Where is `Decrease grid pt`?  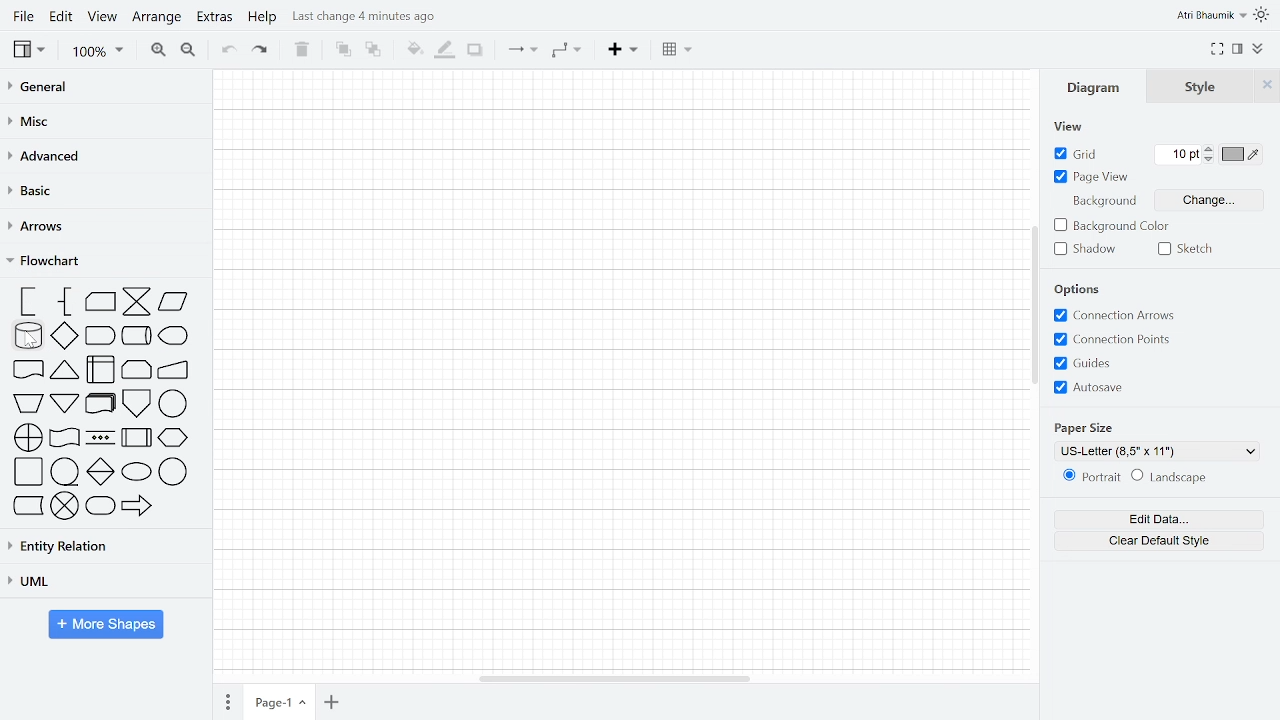
Decrease grid pt is located at coordinates (1211, 160).